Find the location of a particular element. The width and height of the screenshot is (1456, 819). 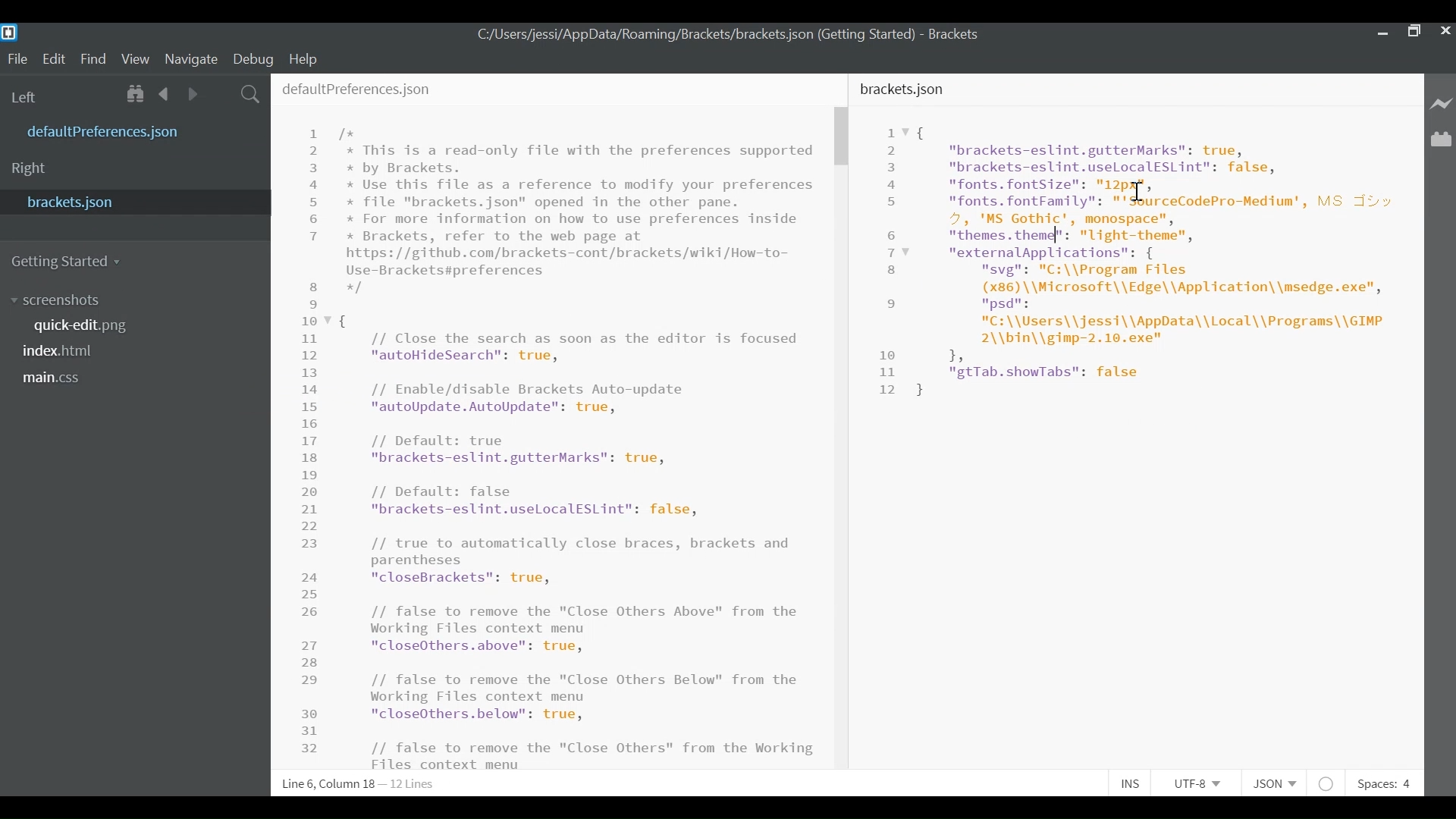

No lintel available for JSON is located at coordinates (1327, 782).